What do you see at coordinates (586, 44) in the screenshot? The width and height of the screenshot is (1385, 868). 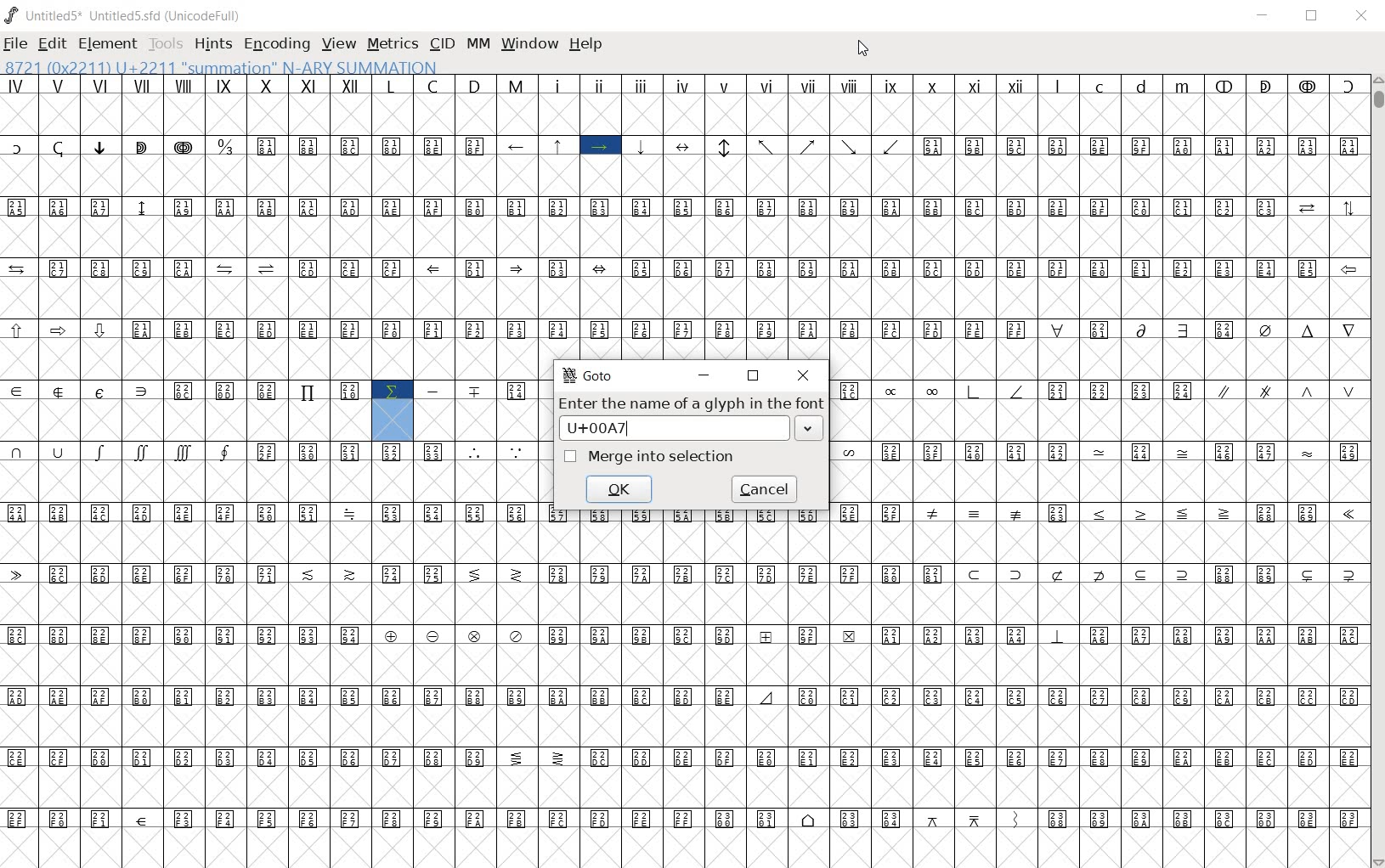 I see `help` at bounding box center [586, 44].